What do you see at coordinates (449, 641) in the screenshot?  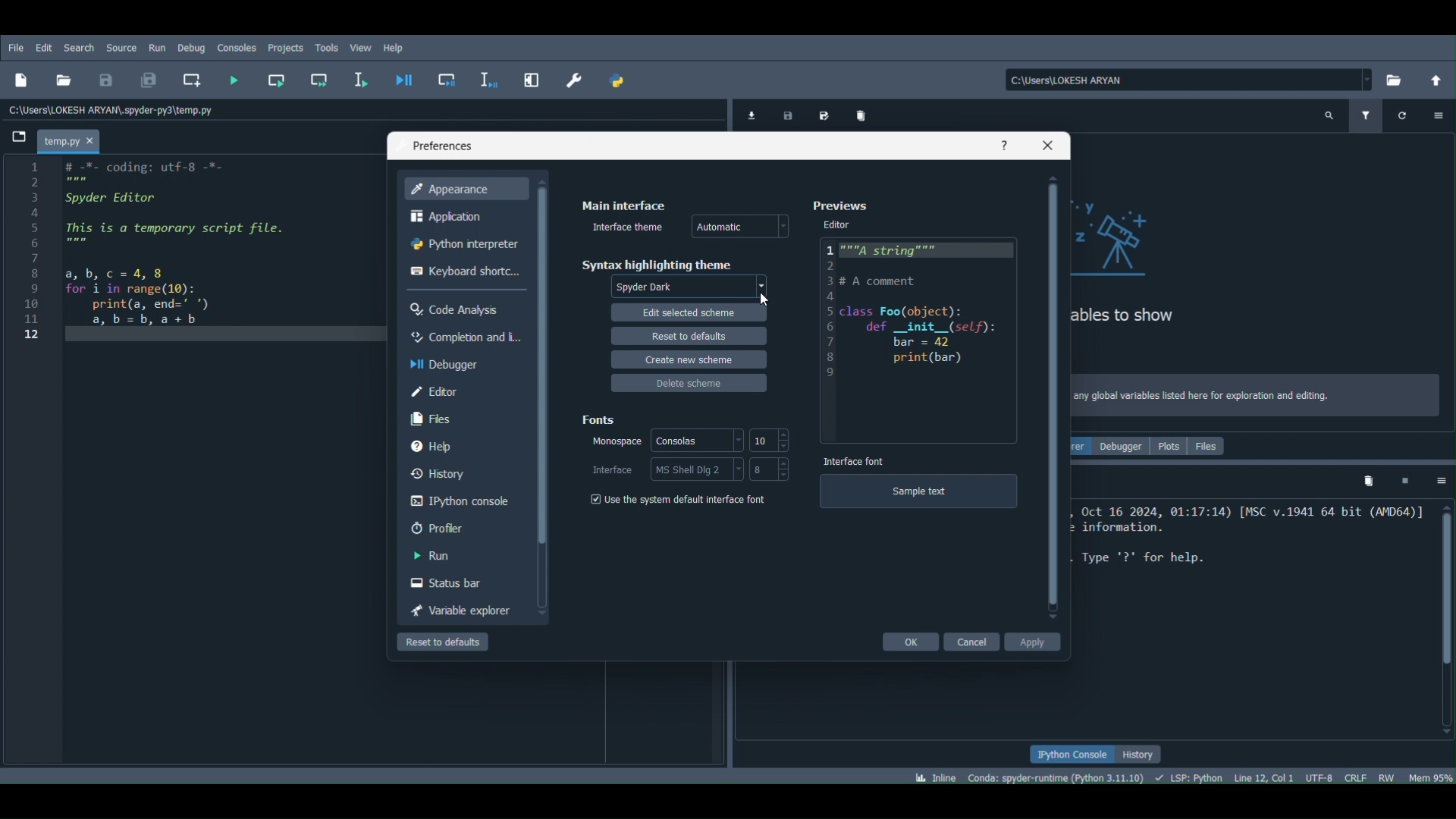 I see `Reset to defaults` at bounding box center [449, 641].